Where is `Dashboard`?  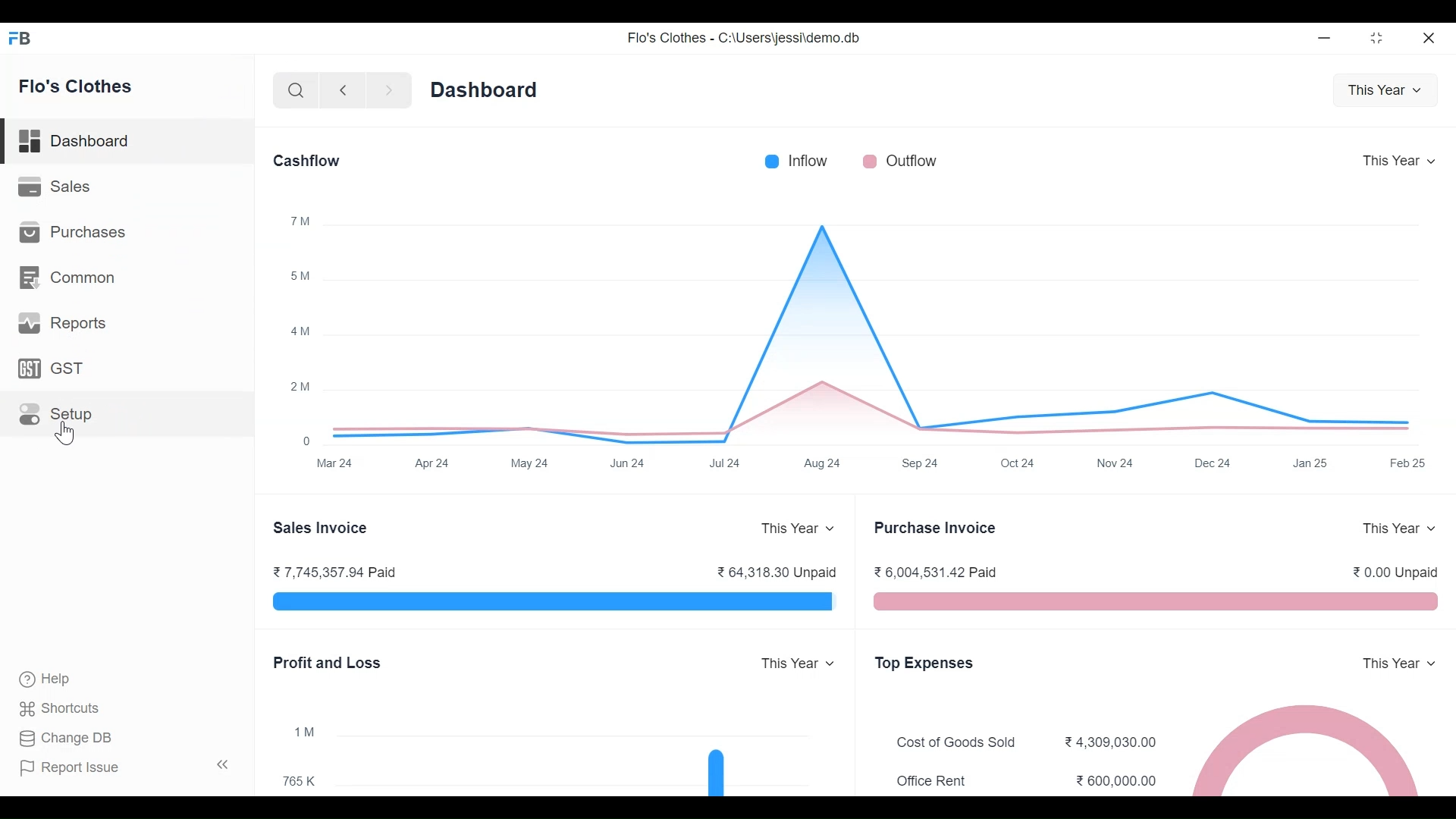
Dashboard is located at coordinates (485, 91).